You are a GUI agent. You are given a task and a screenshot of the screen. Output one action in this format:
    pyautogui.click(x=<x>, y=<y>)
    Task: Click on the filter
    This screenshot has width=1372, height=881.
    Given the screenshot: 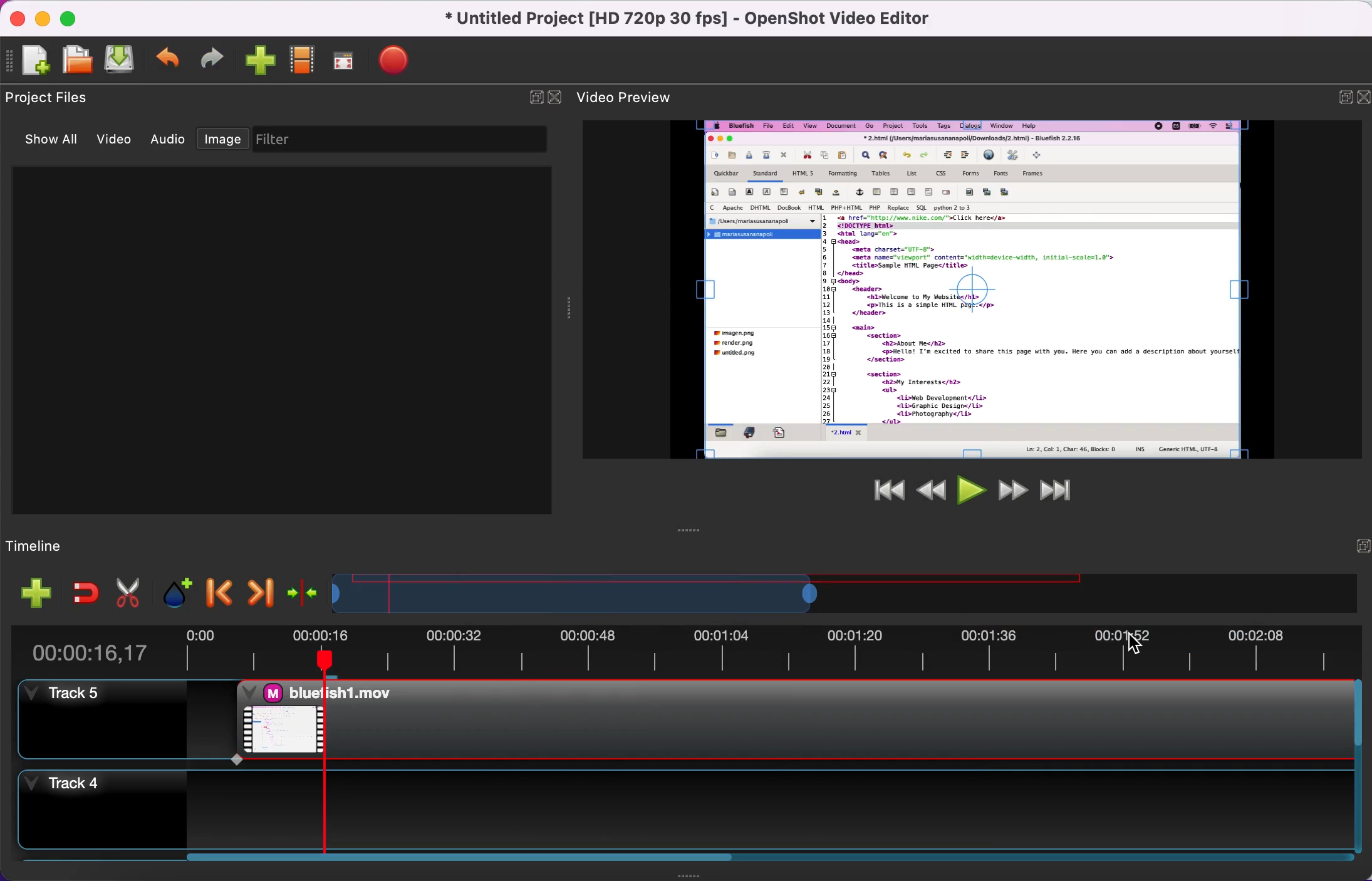 What is the action you would take?
    pyautogui.click(x=405, y=140)
    